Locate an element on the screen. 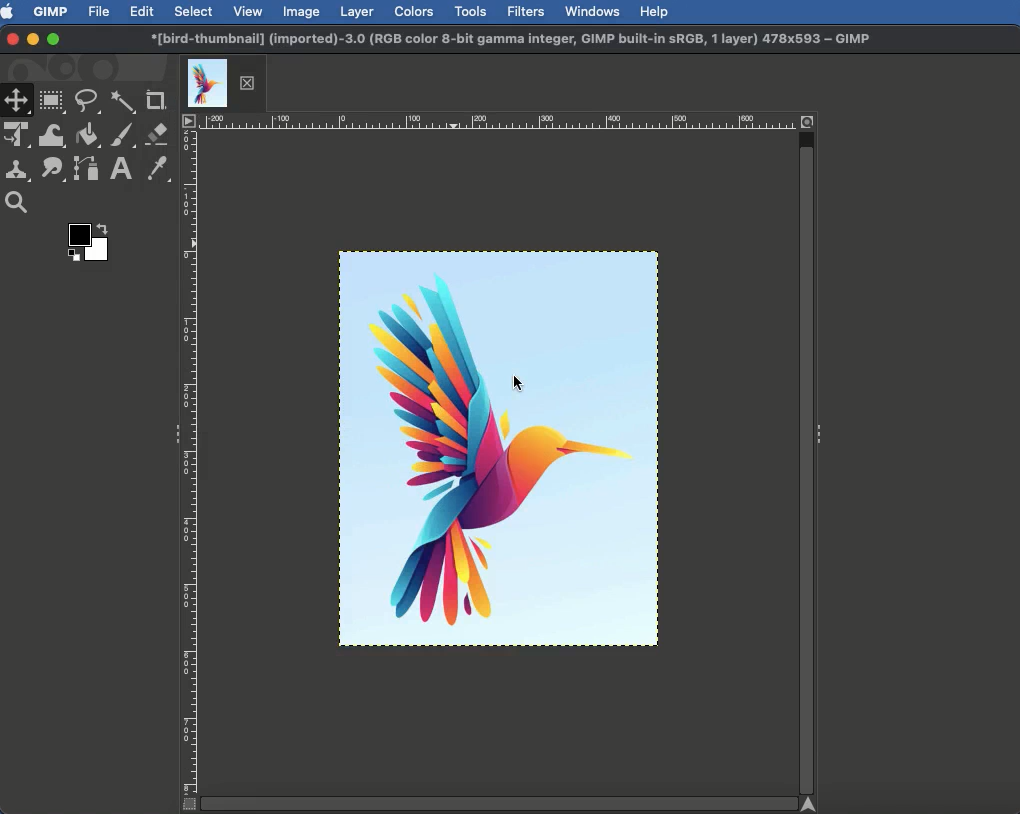  Tab is located at coordinates (219, 78).